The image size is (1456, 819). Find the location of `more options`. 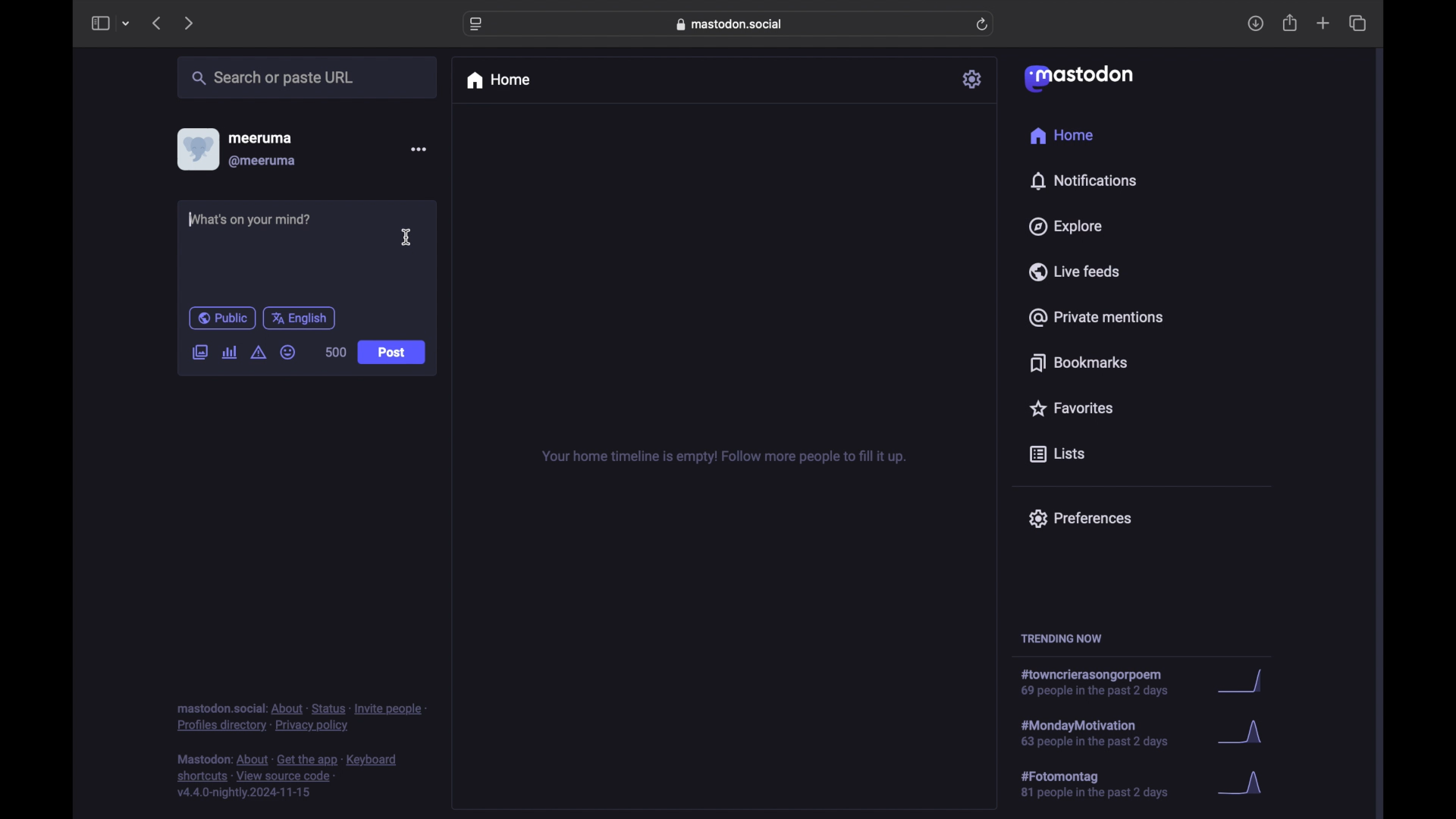

more options is located at coordinates (419, 149).